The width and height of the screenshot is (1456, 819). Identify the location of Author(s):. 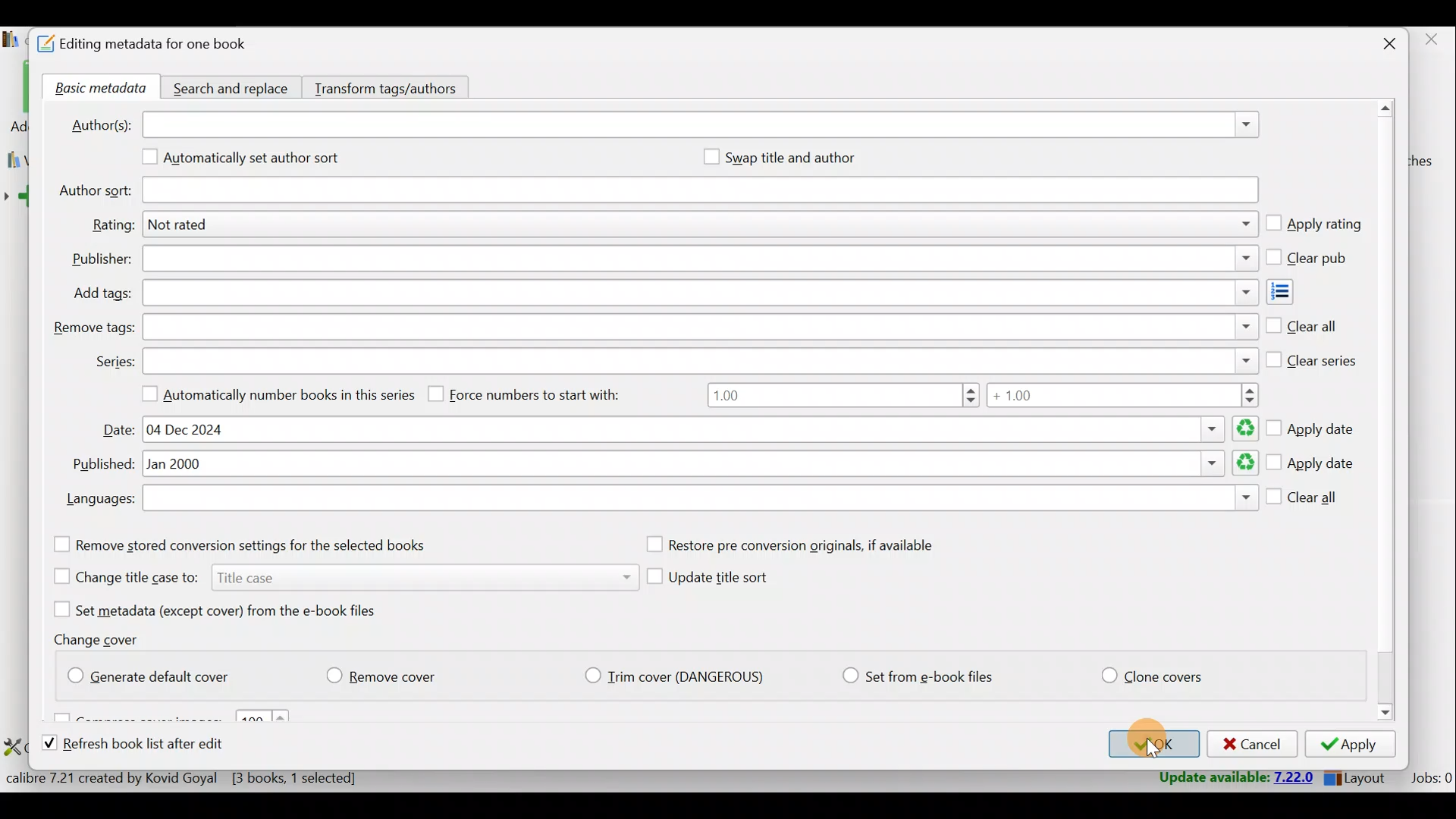
(101, 123).